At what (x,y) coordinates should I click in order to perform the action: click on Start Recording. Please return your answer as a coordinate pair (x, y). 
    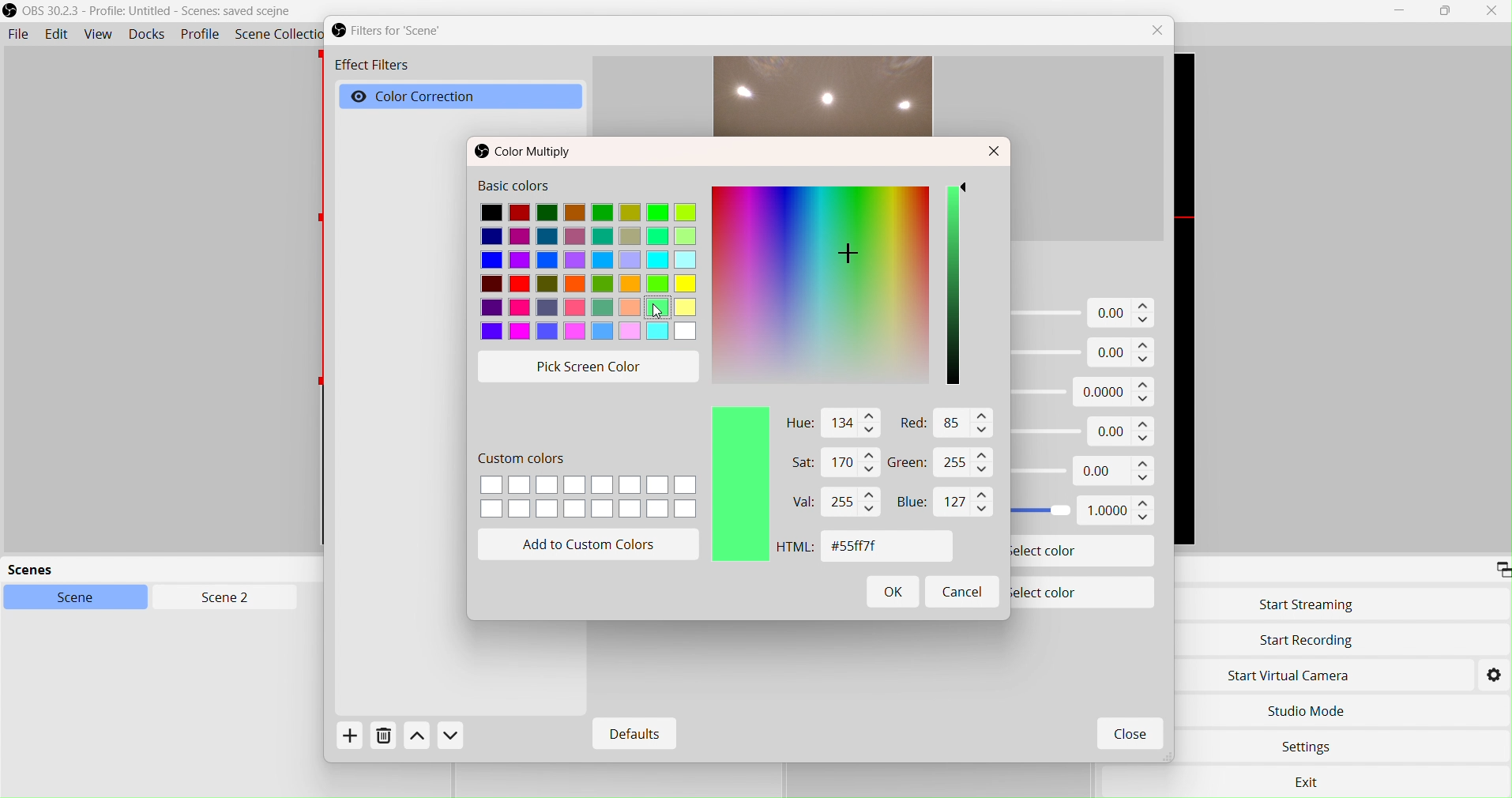
    Looking at the image, I should click on (1307, 641).